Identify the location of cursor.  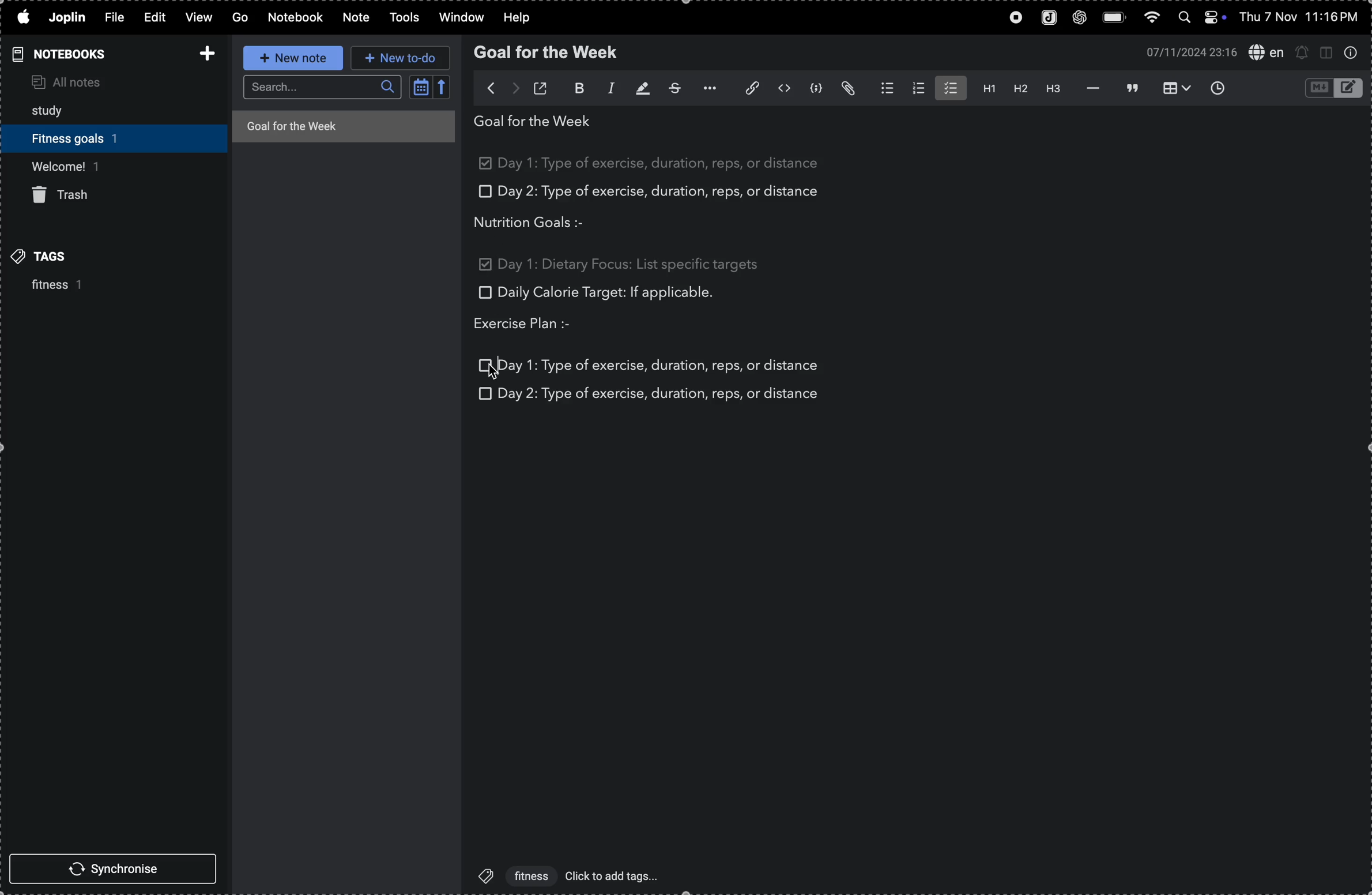
(495, 377).